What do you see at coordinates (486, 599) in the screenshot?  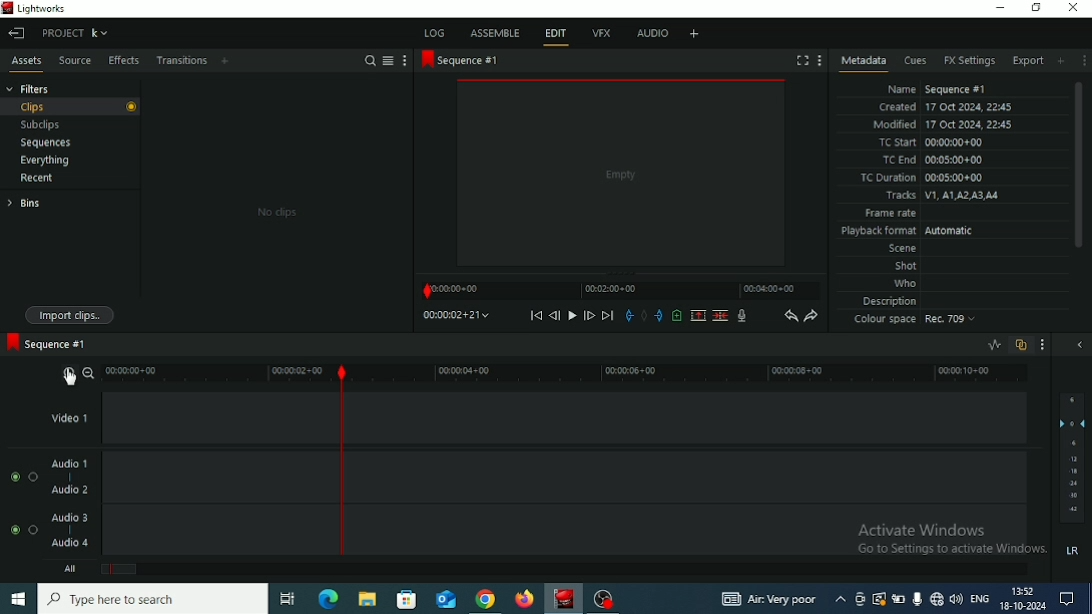 I see `Google Chrome` at bounding box center [486, 599].